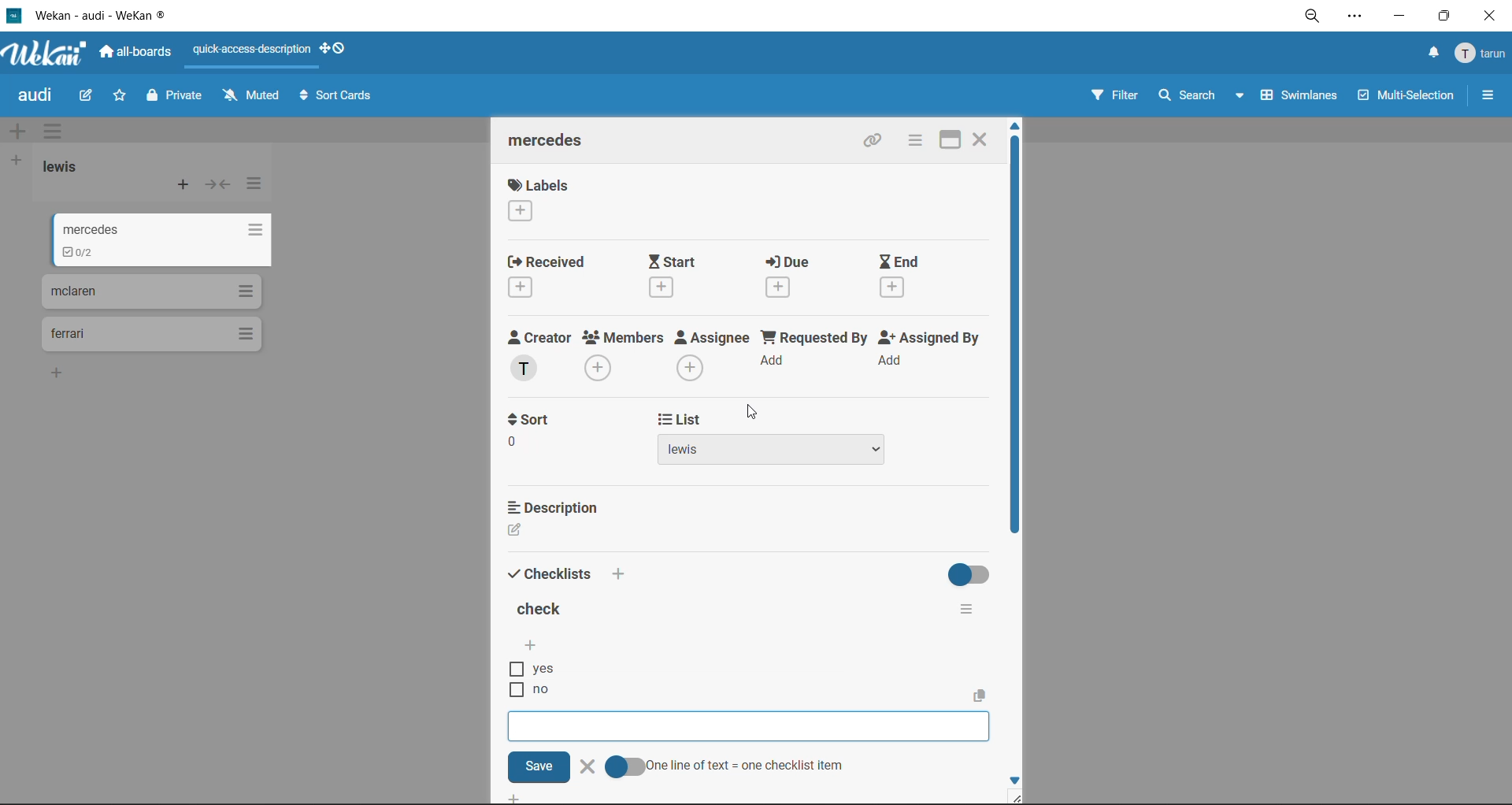 The height and width of the screenshot is (805, 1512). What do you see at coordinates (877, 143) in the screenshot?
I see `copy` at bounding box center [877, 143].